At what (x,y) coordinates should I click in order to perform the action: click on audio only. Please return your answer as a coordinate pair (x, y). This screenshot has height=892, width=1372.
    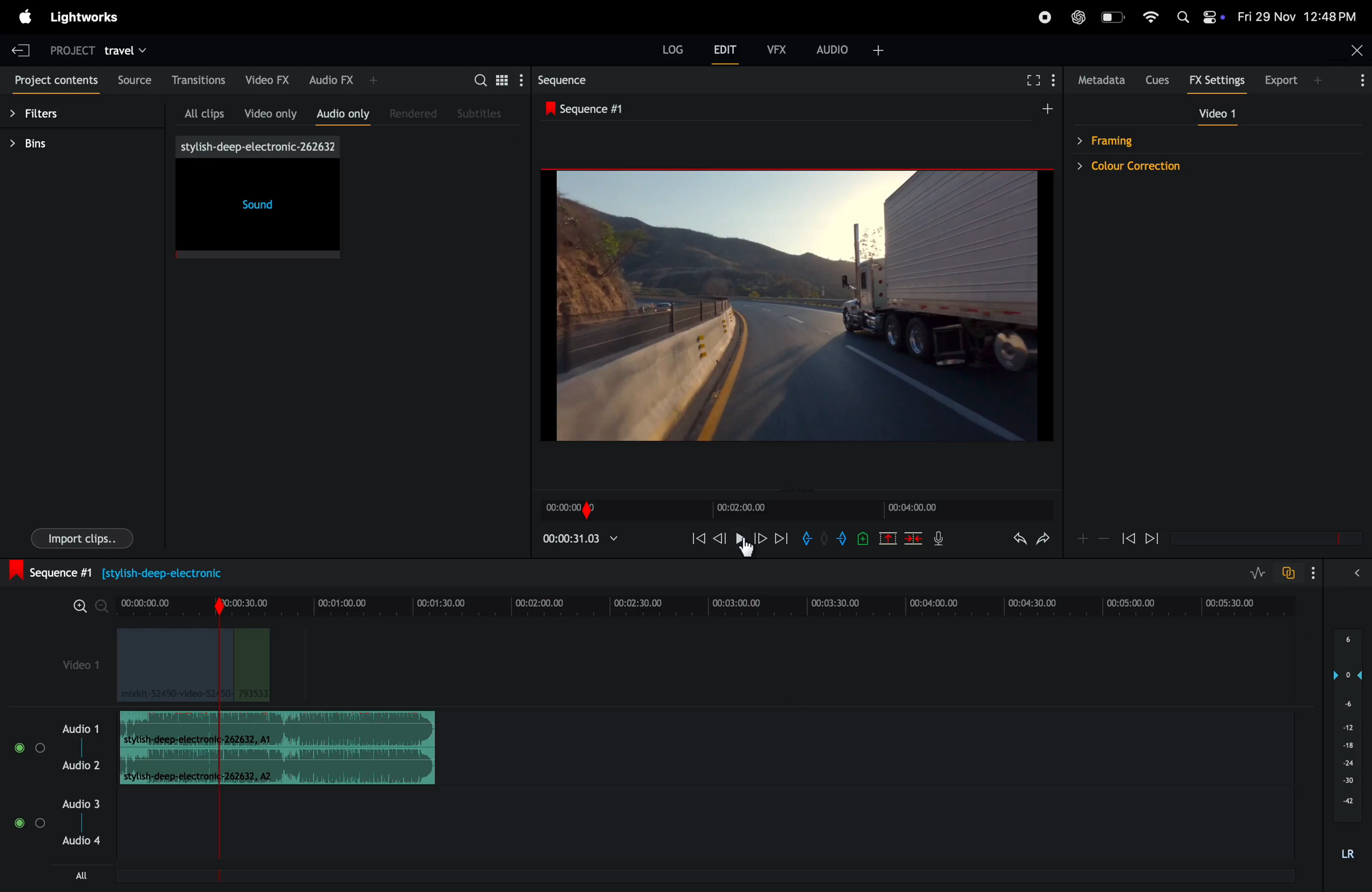
    Looking at the image, I should click on (344, 112).